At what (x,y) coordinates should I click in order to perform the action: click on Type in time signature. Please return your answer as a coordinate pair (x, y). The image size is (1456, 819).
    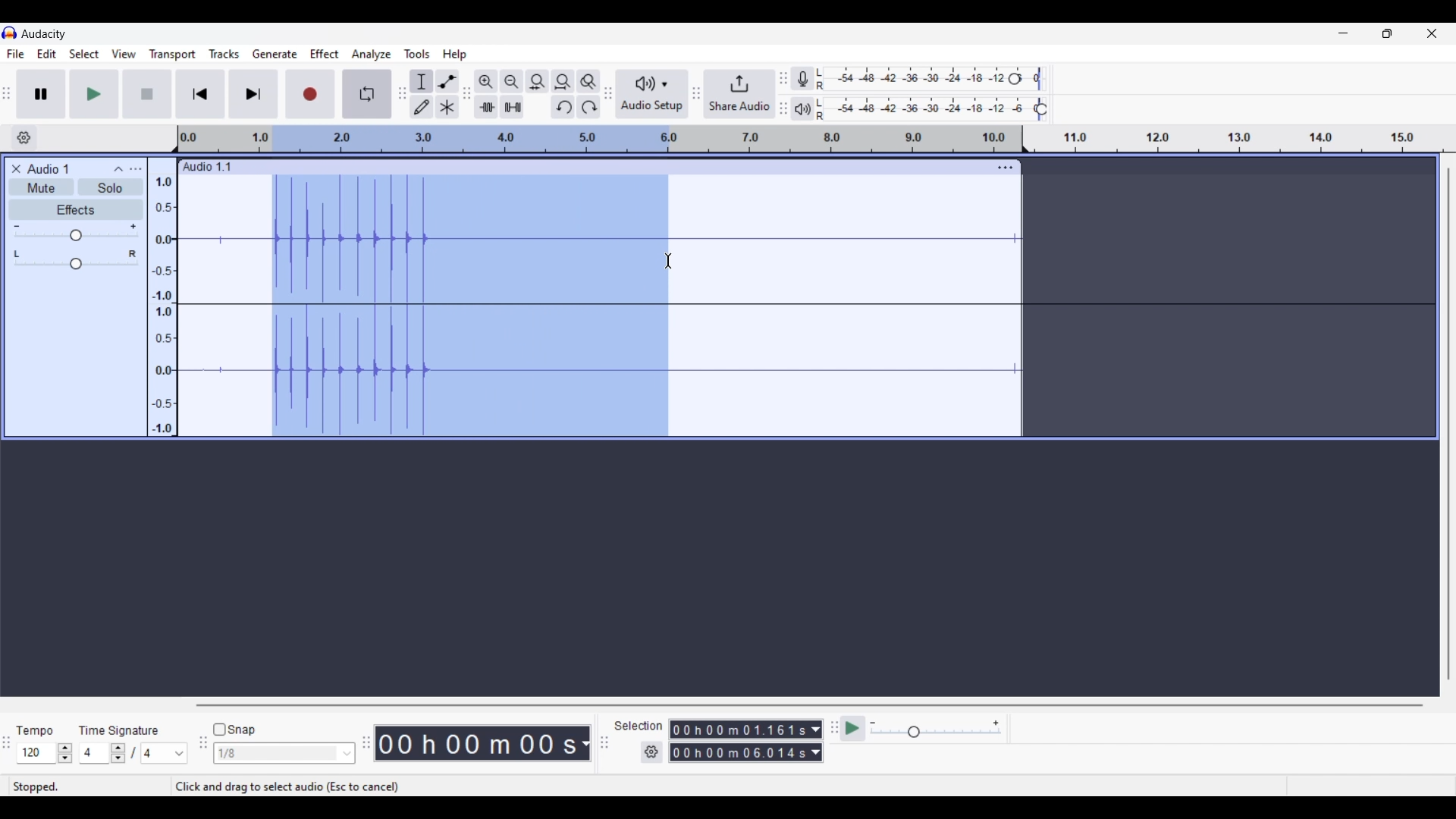
    Looking at the image, I should click on (94, 753).